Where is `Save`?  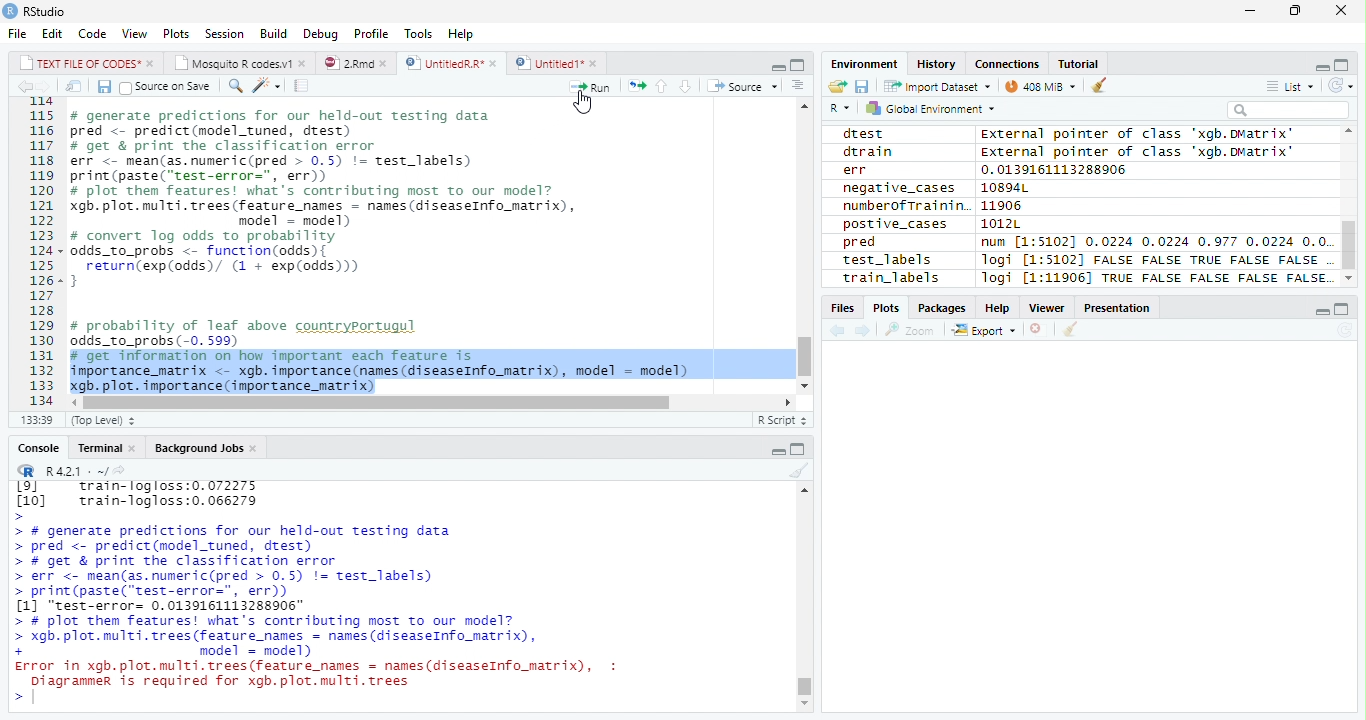 Save is located at coordinates (101, 85).